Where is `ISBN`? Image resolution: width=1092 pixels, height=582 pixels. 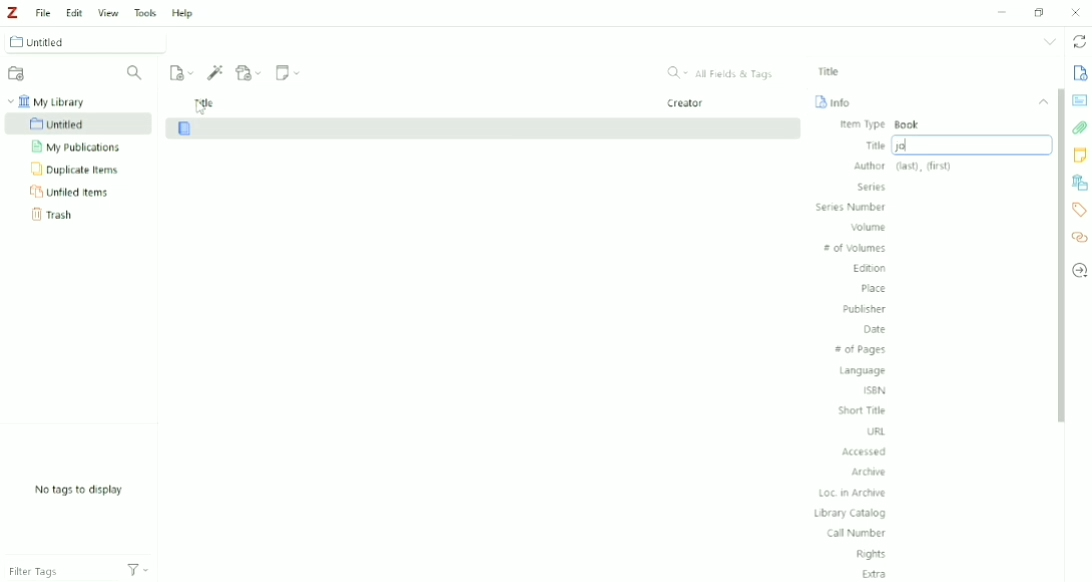 ISBN is located at coordinates (877, 390).